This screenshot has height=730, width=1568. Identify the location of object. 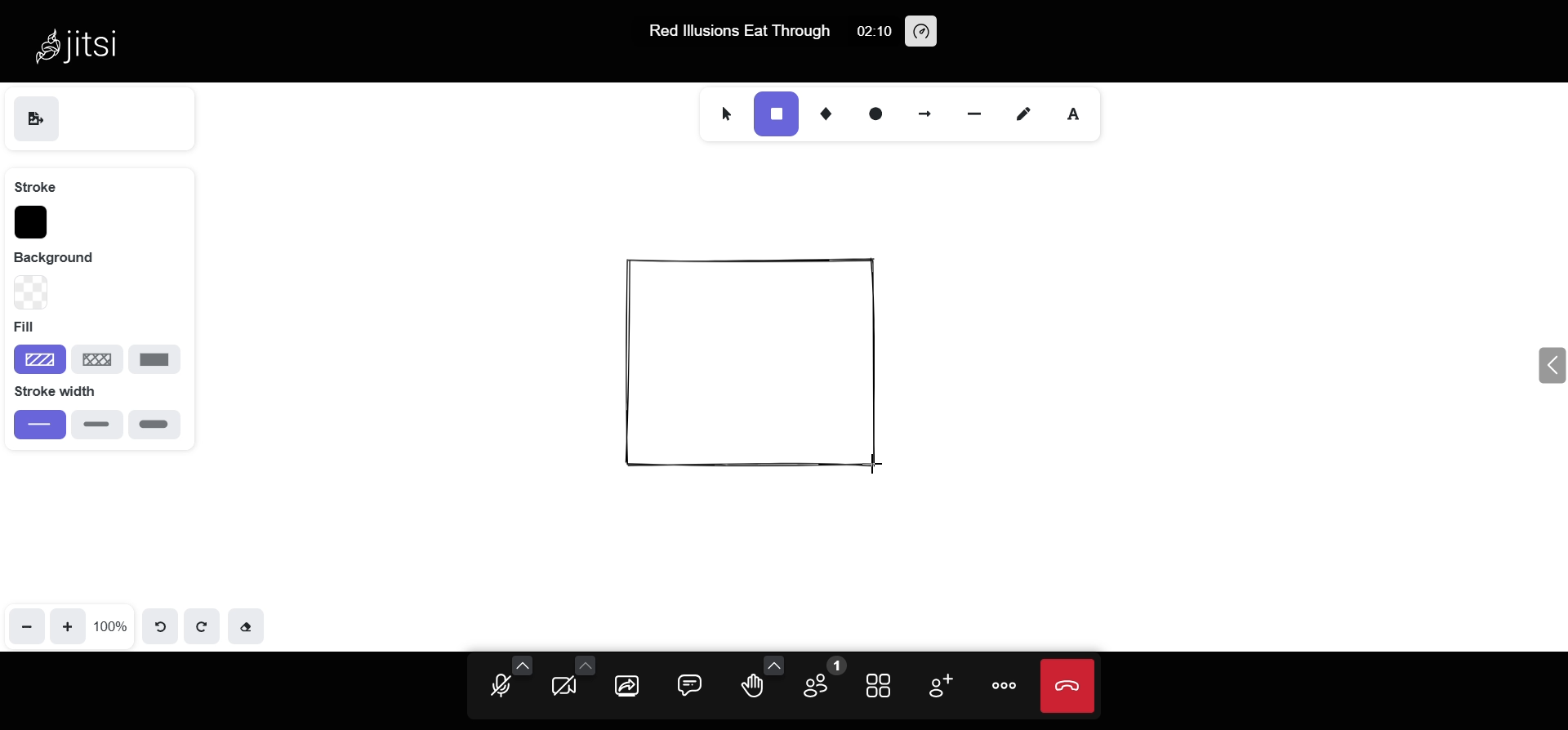
(750, 363).